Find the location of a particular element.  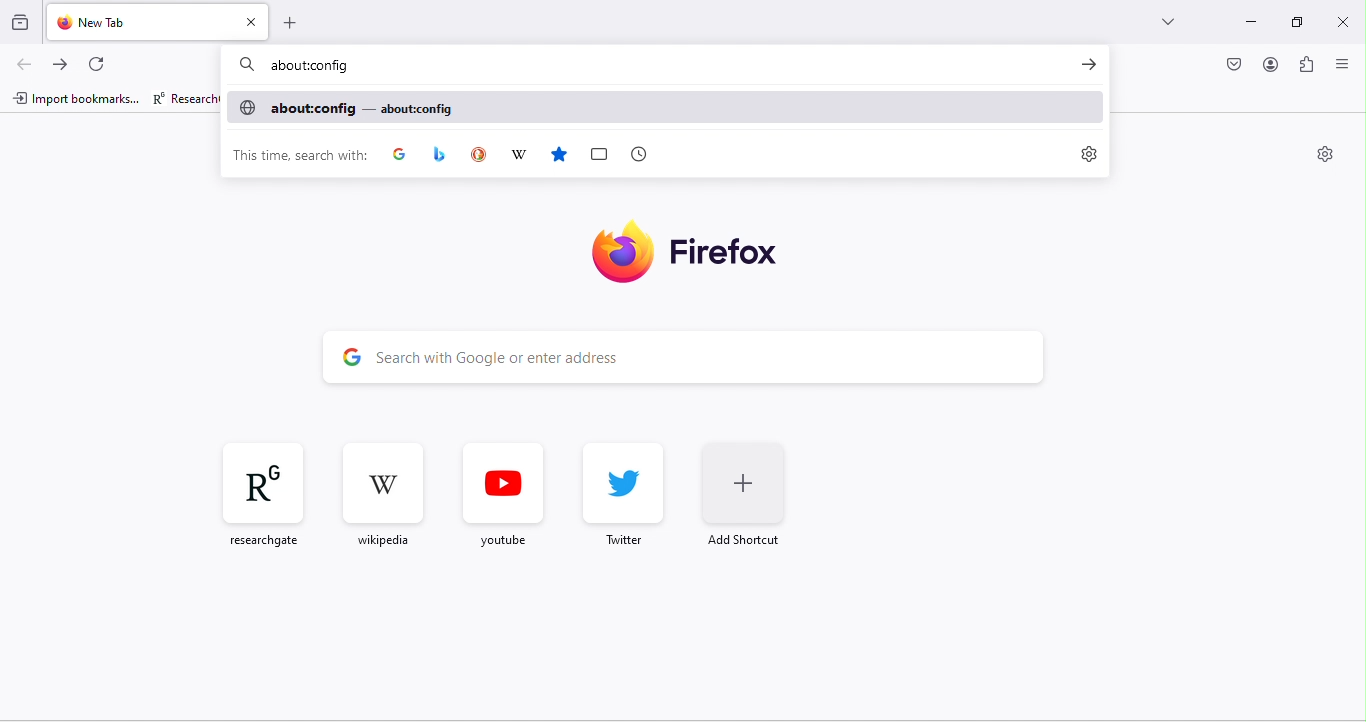

search bar is located at coordinates (679, 355).